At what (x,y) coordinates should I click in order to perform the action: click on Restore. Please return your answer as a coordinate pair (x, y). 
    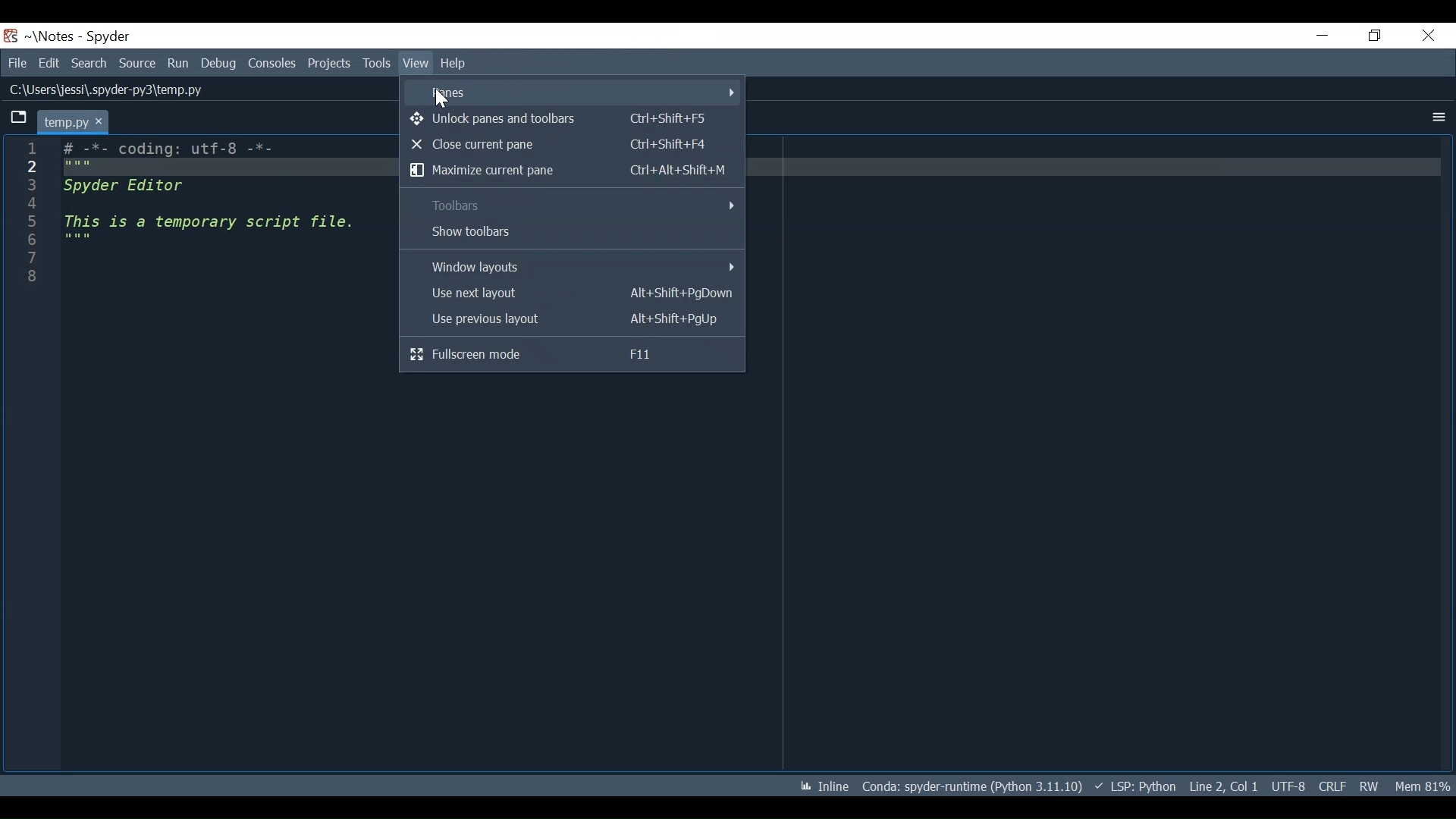
    Looking at the image, I should click on (1370, 36).